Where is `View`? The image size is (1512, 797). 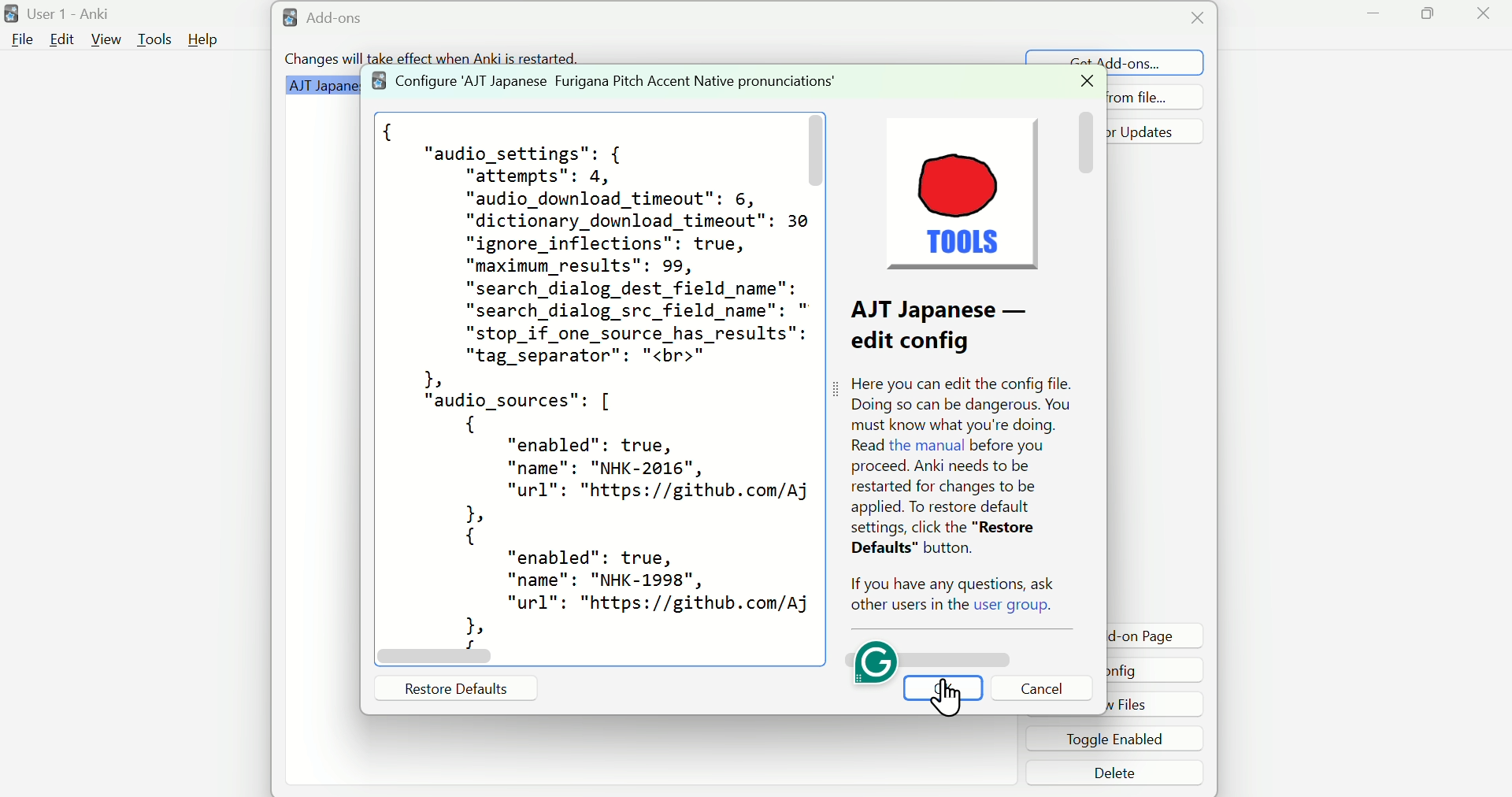
View is located at coordinates (103, 38).